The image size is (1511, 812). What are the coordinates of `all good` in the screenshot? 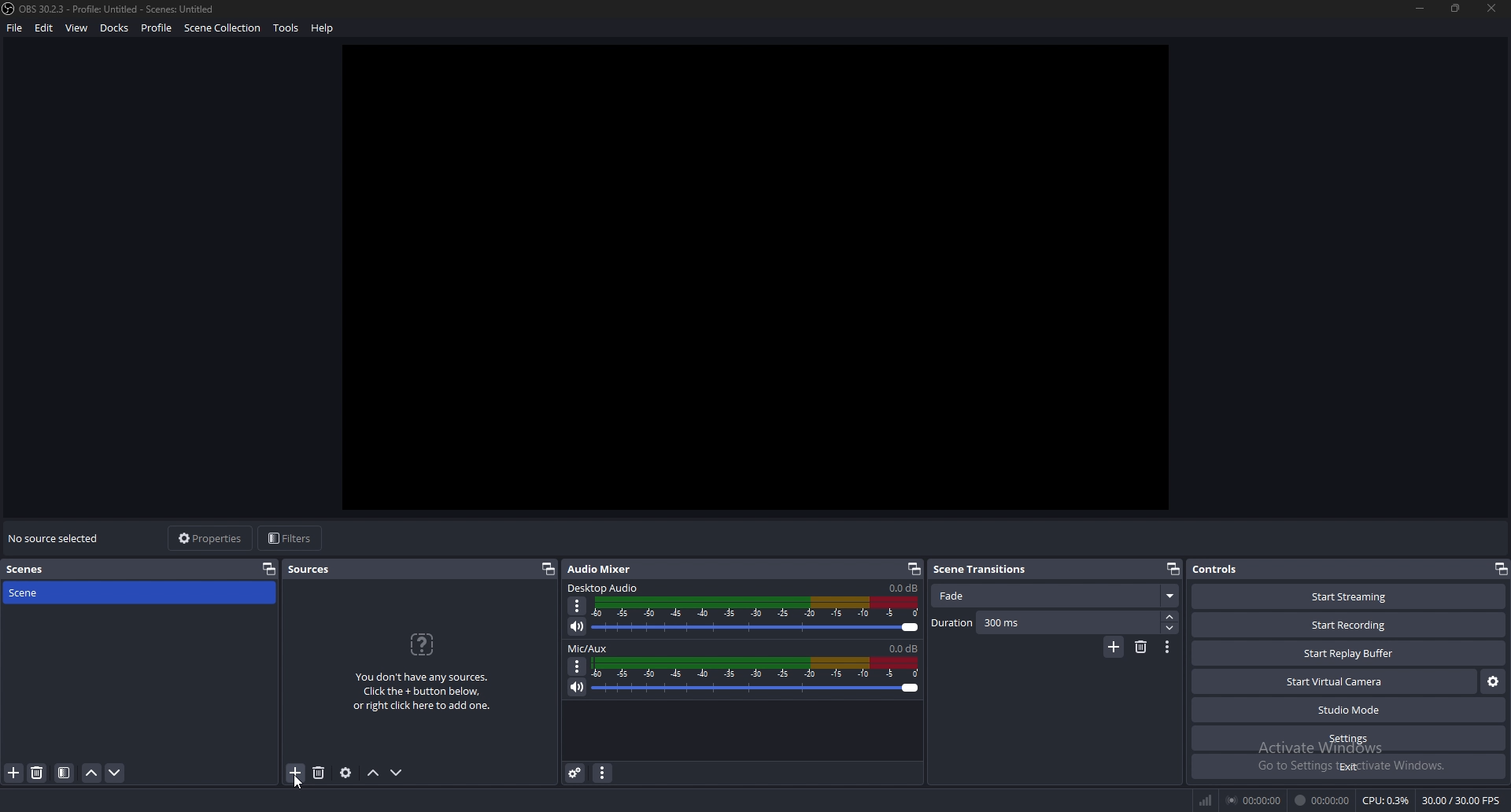 It's located at (764, 274).